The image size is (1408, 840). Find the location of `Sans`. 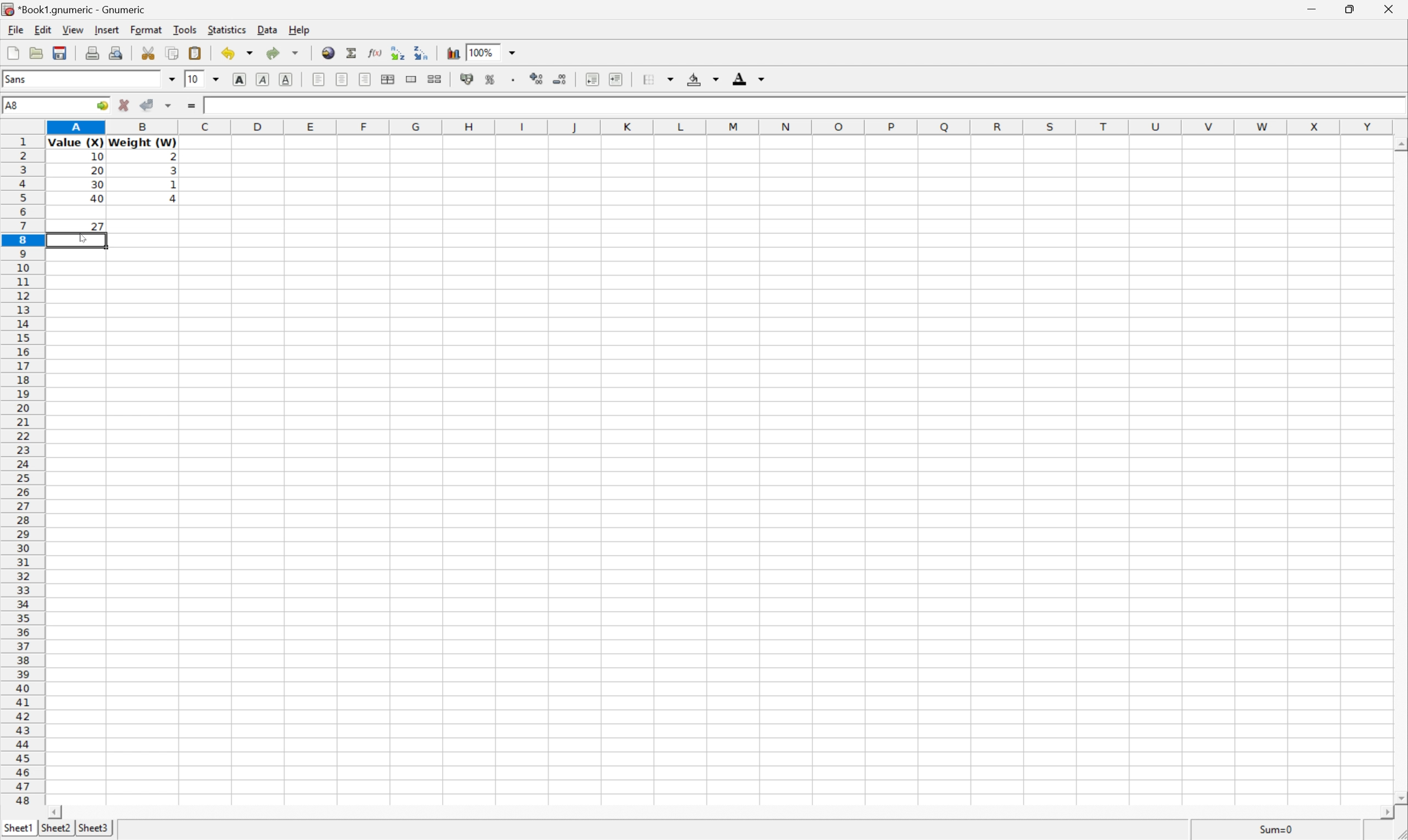

Sans is located at coordinates (17, 77).